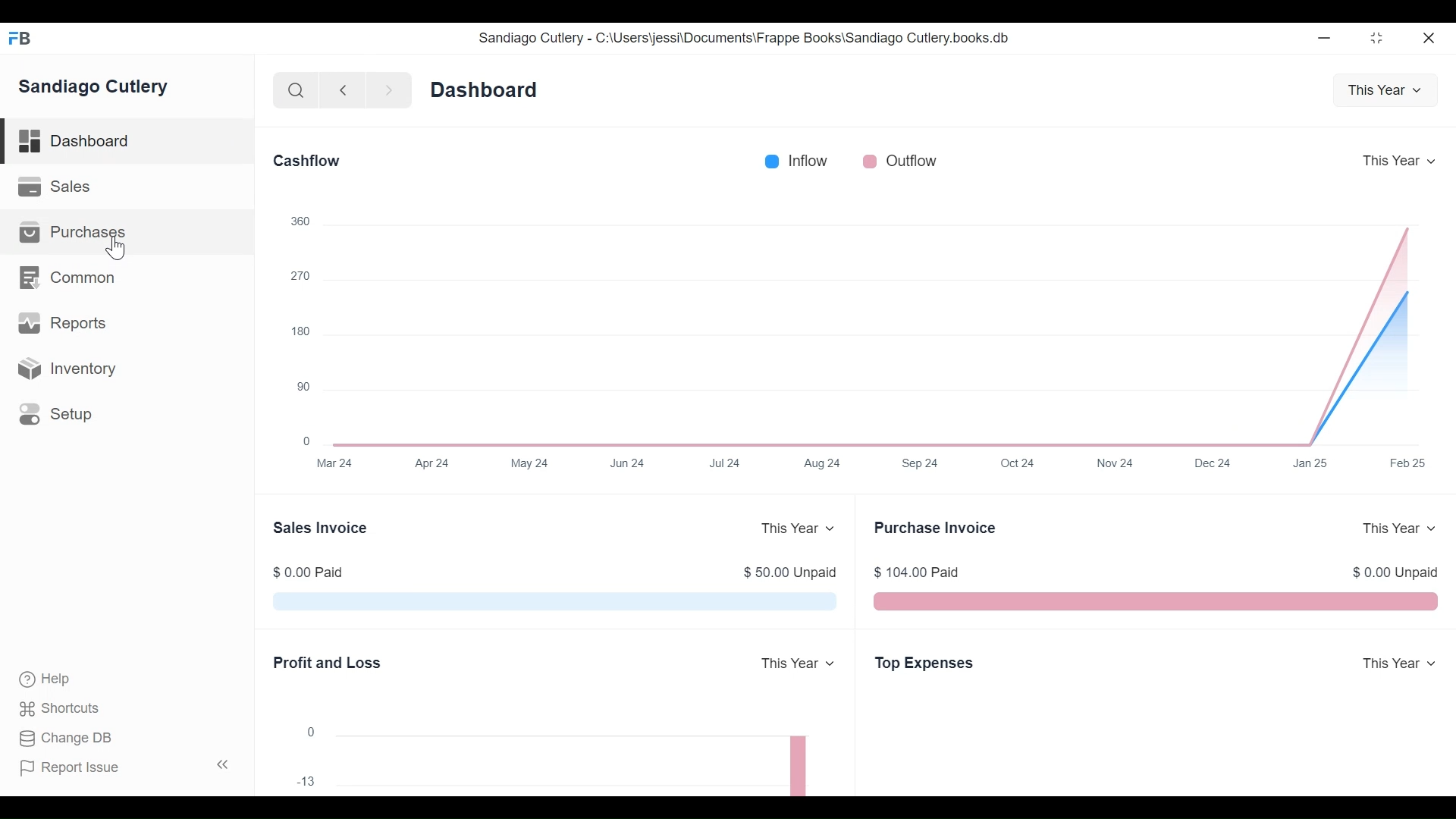 The width and height of the screenshot is (1456, 819). What do you see at coordinates (936, 529) in the screenshot?
I see `Purchase Invoice` at bounding box center [936, 529].